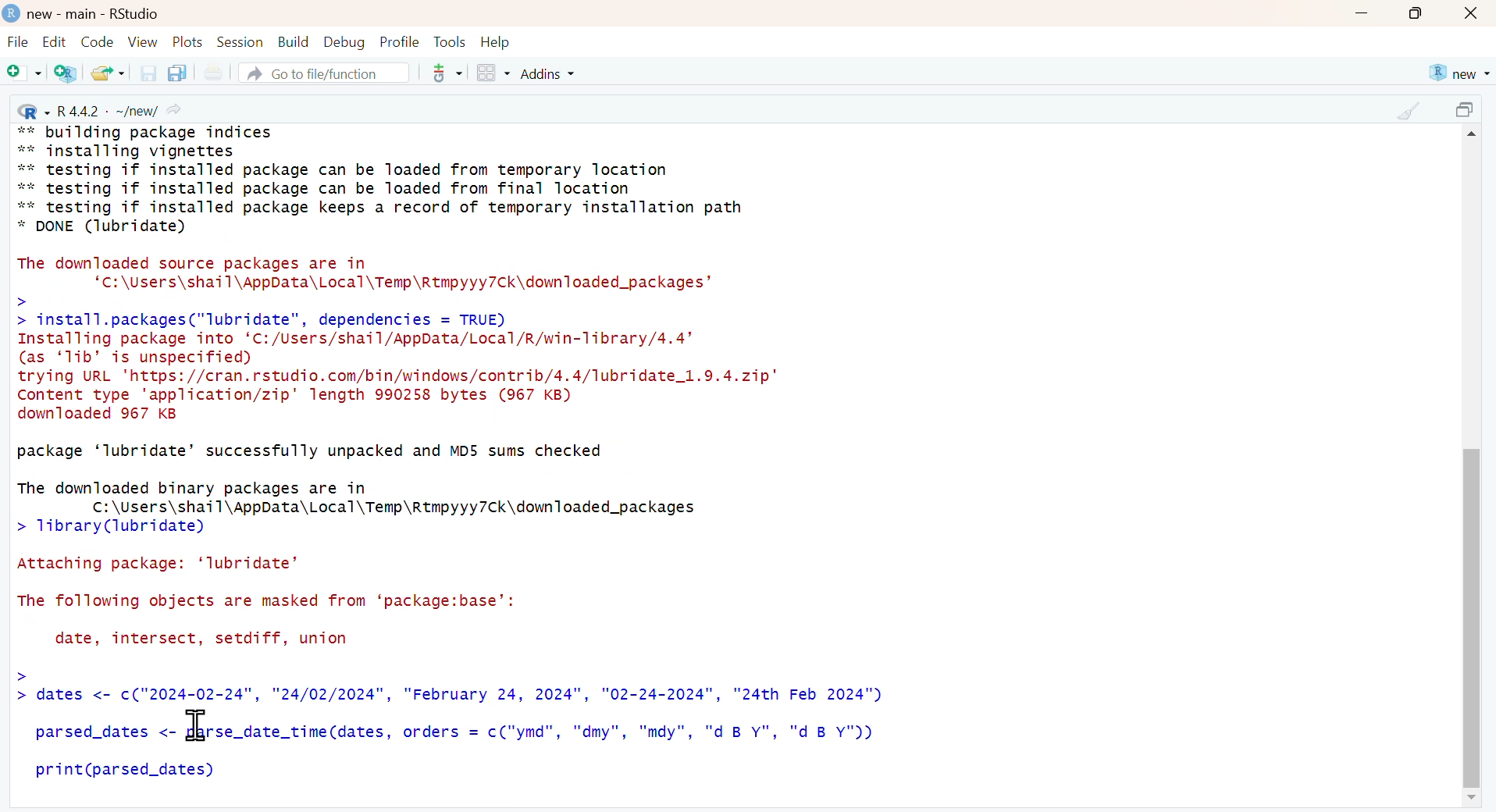 The width and height of the screenshot is (1496, 812). What do you see at coordinates (18, 44) in the screenshot?
I see `File` at bounding box center [18, 44].